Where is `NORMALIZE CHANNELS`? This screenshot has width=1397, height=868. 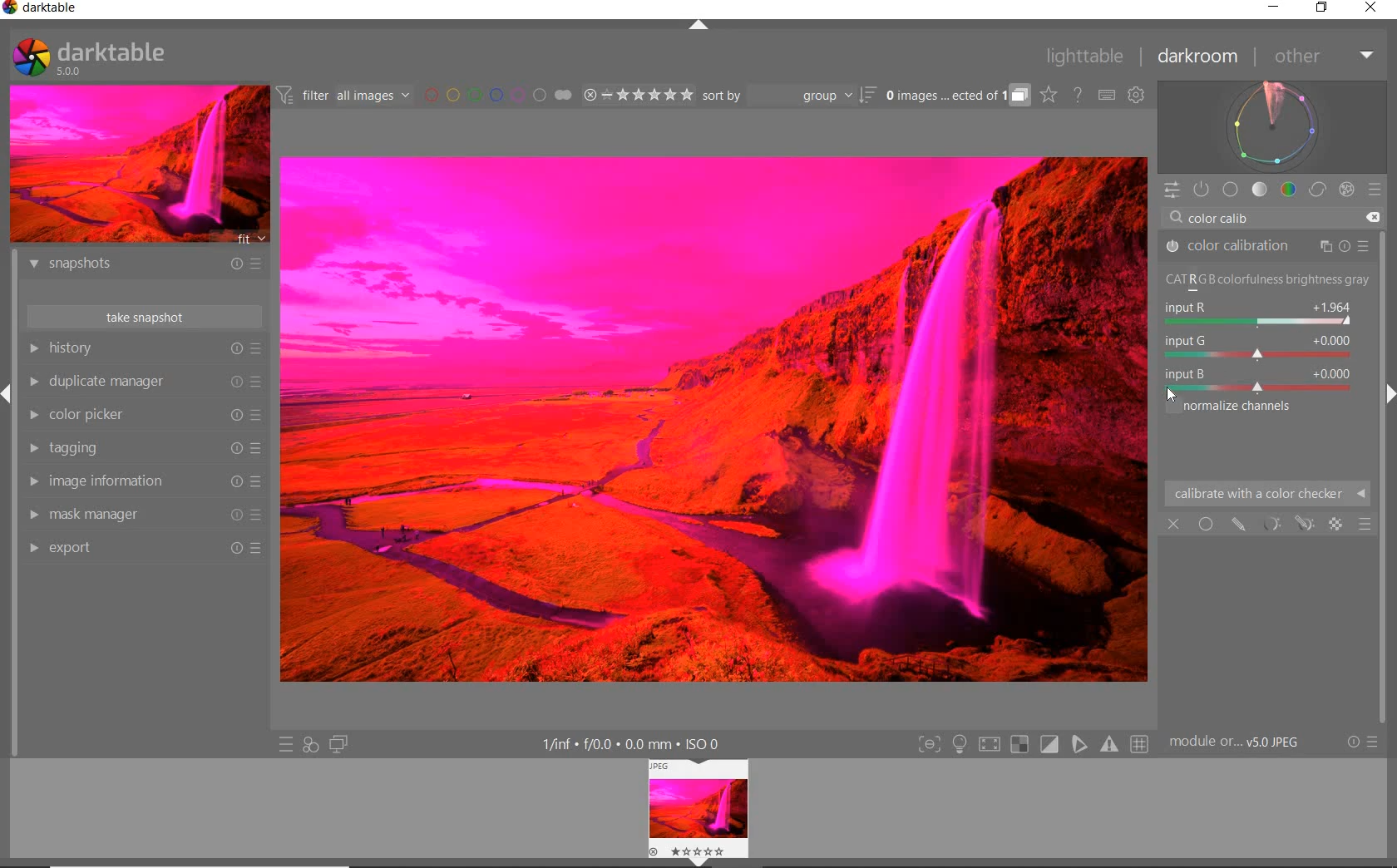
NORMALIZE CHANNELS is located at coordinates (1249, 407).